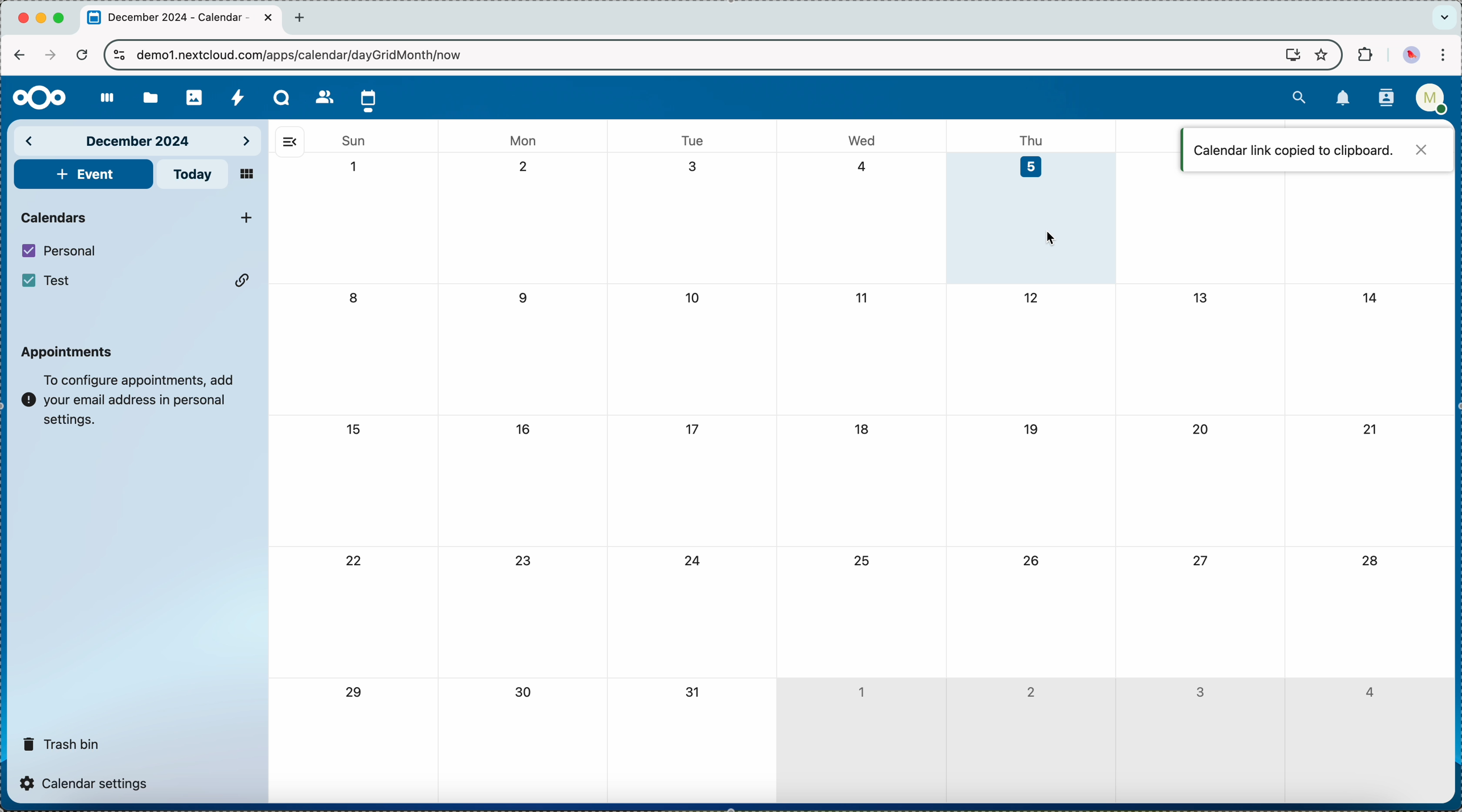 The height and width of the screenshot is (812, 1462). I want to click on Nextcloud logo, so click(35, 98).